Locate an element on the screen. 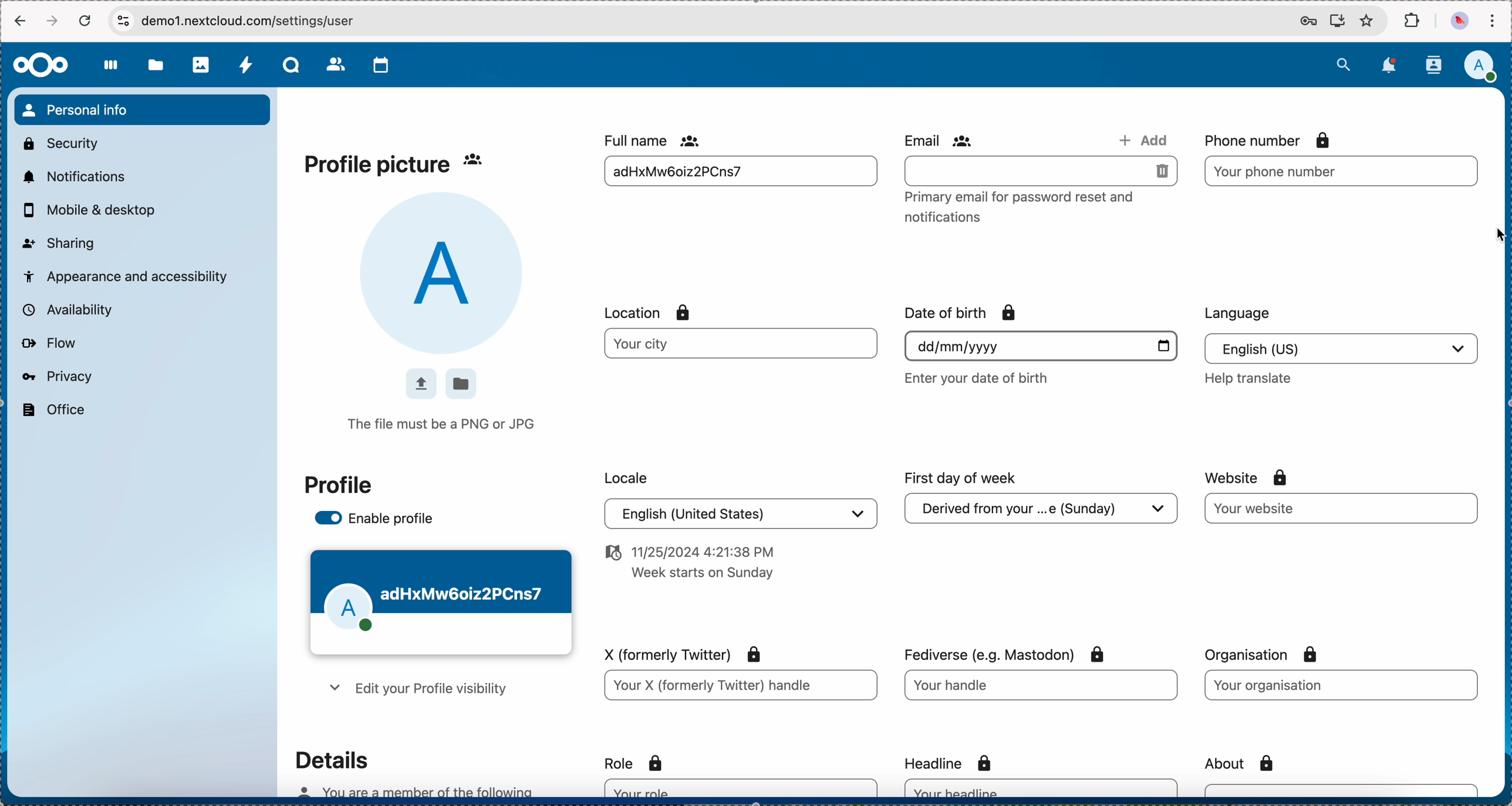  enter your date of birth is located at coordinates (977, 378).